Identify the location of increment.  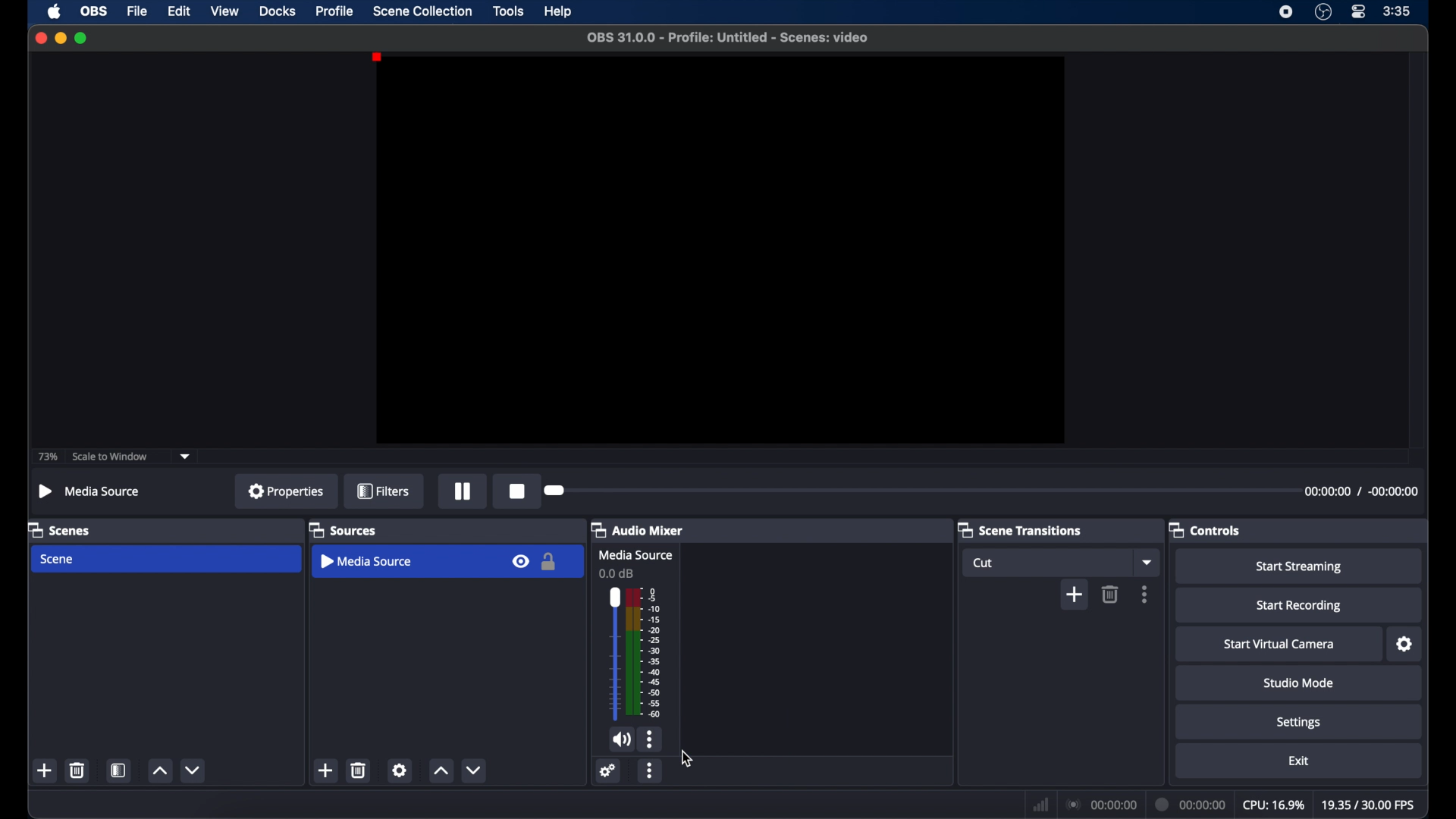
(440, 770).